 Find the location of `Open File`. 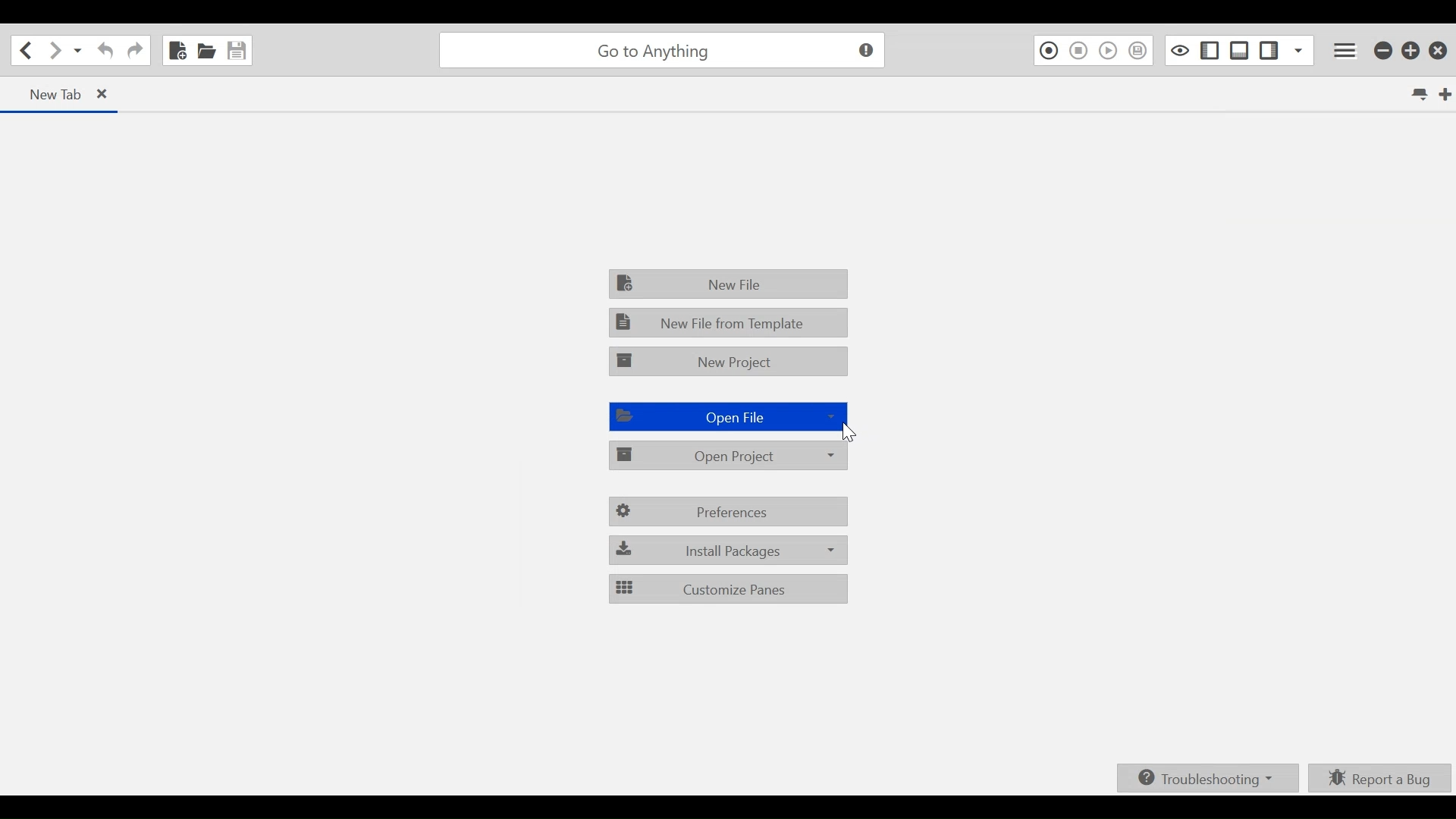

Open File is located at coordinates (726, 417).